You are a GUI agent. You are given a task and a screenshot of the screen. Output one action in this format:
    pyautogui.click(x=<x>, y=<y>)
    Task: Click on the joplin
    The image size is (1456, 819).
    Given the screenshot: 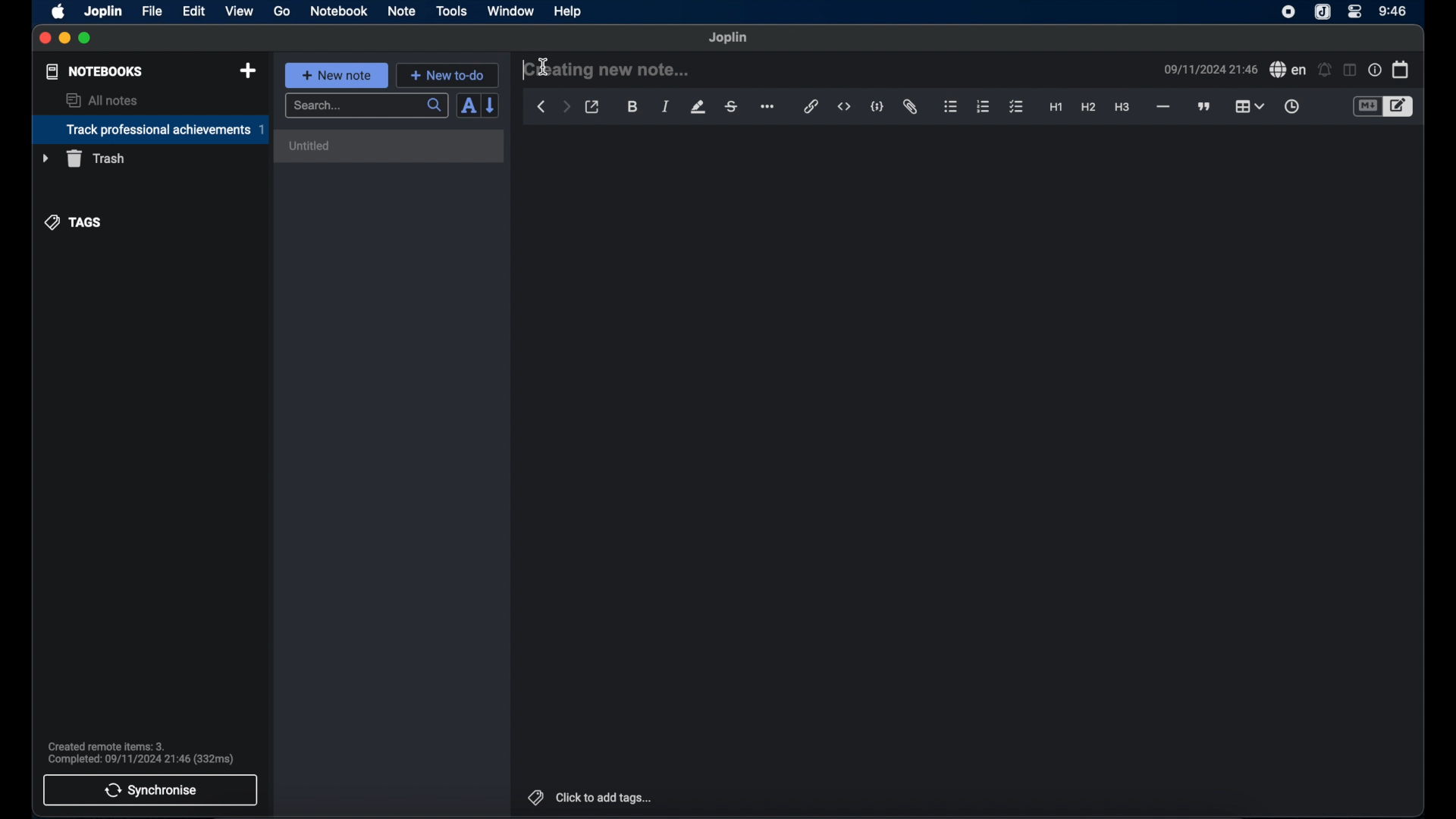 What is the action you would take?
    pyautogui.click(x=104, y=11)
    